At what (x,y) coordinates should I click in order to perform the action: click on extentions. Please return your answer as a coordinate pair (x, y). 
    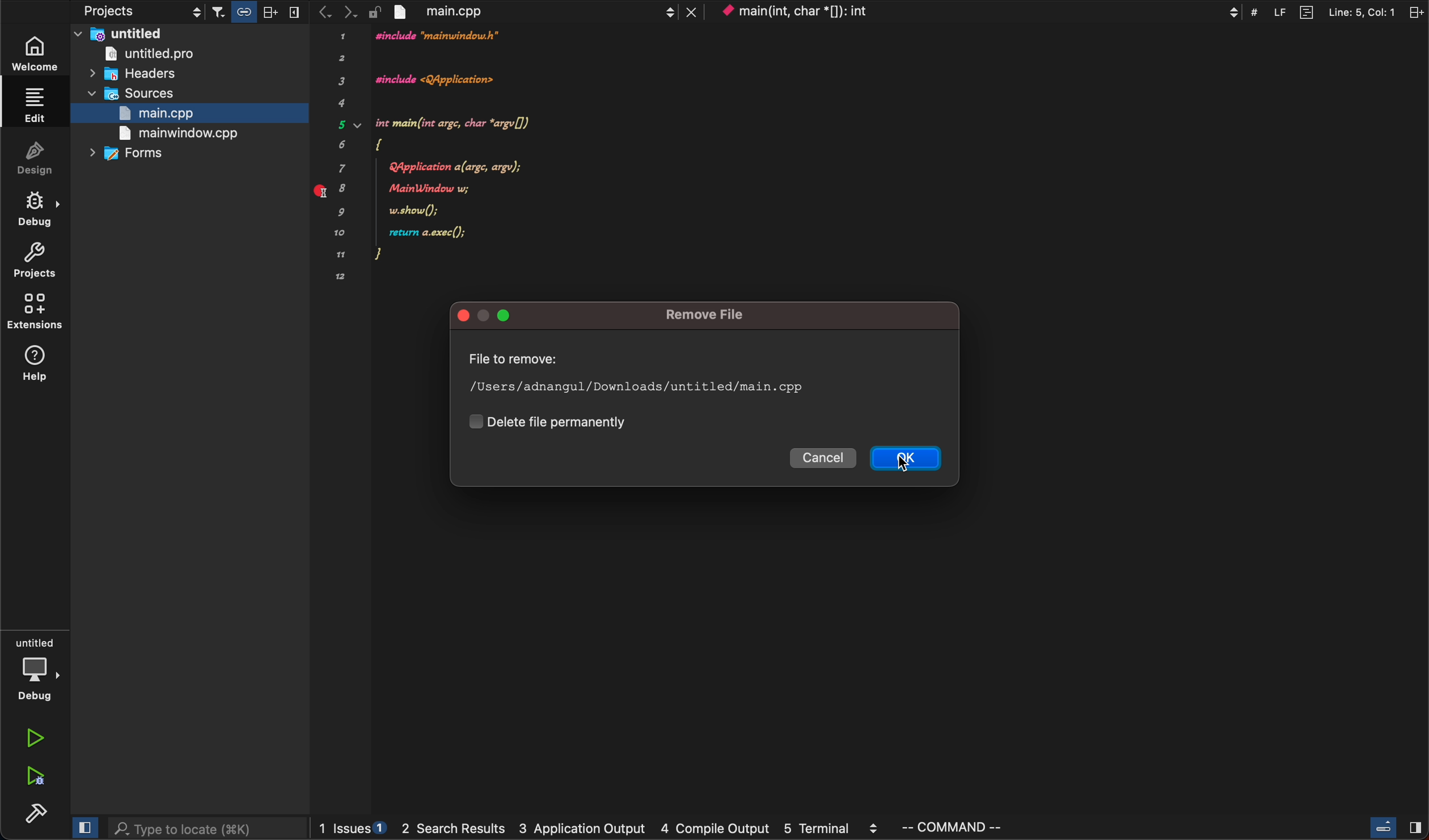
    Looking at the image, I should click on (35, 313).